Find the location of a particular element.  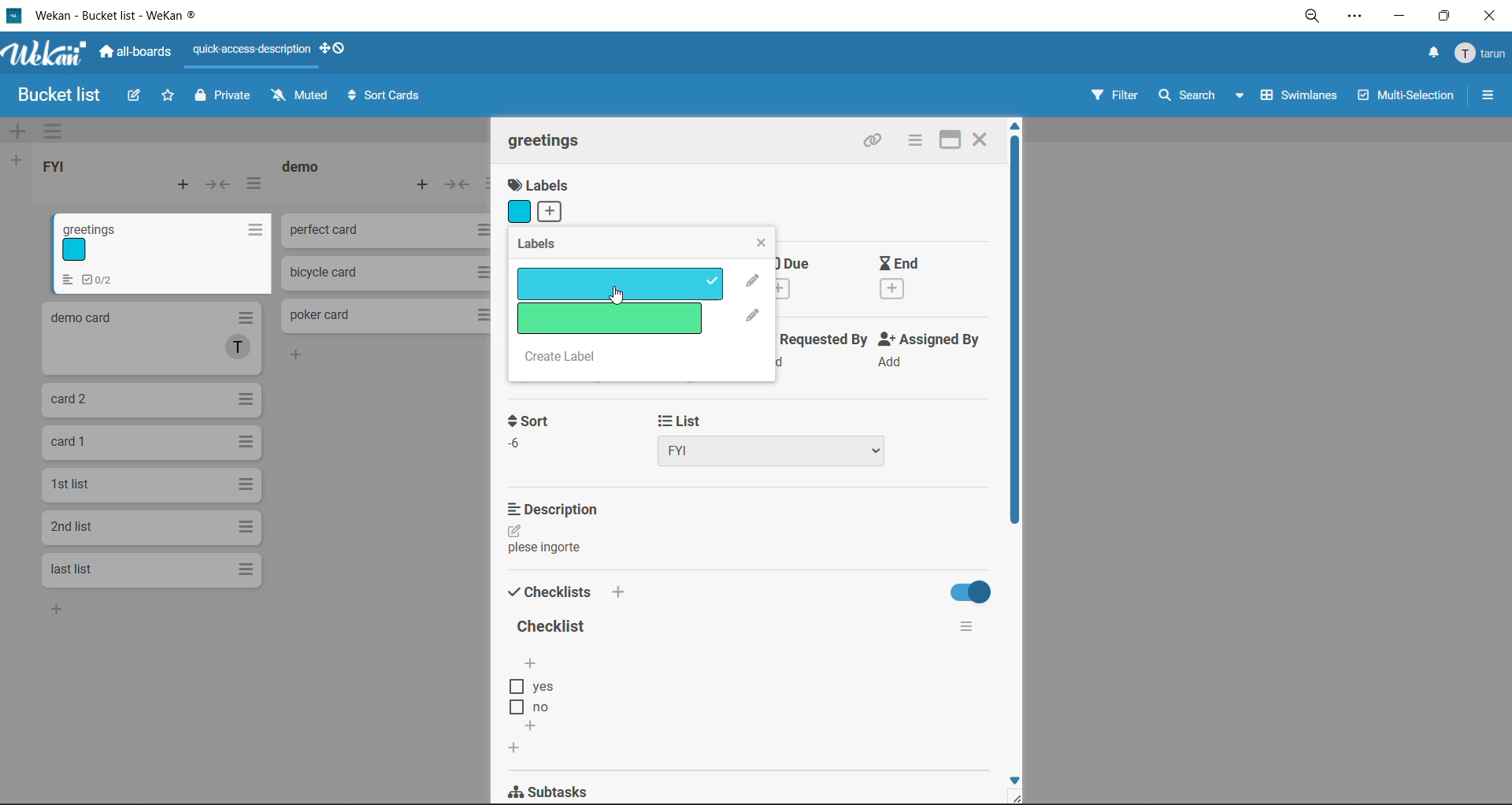

card actions is located at coordinates (915, 143).